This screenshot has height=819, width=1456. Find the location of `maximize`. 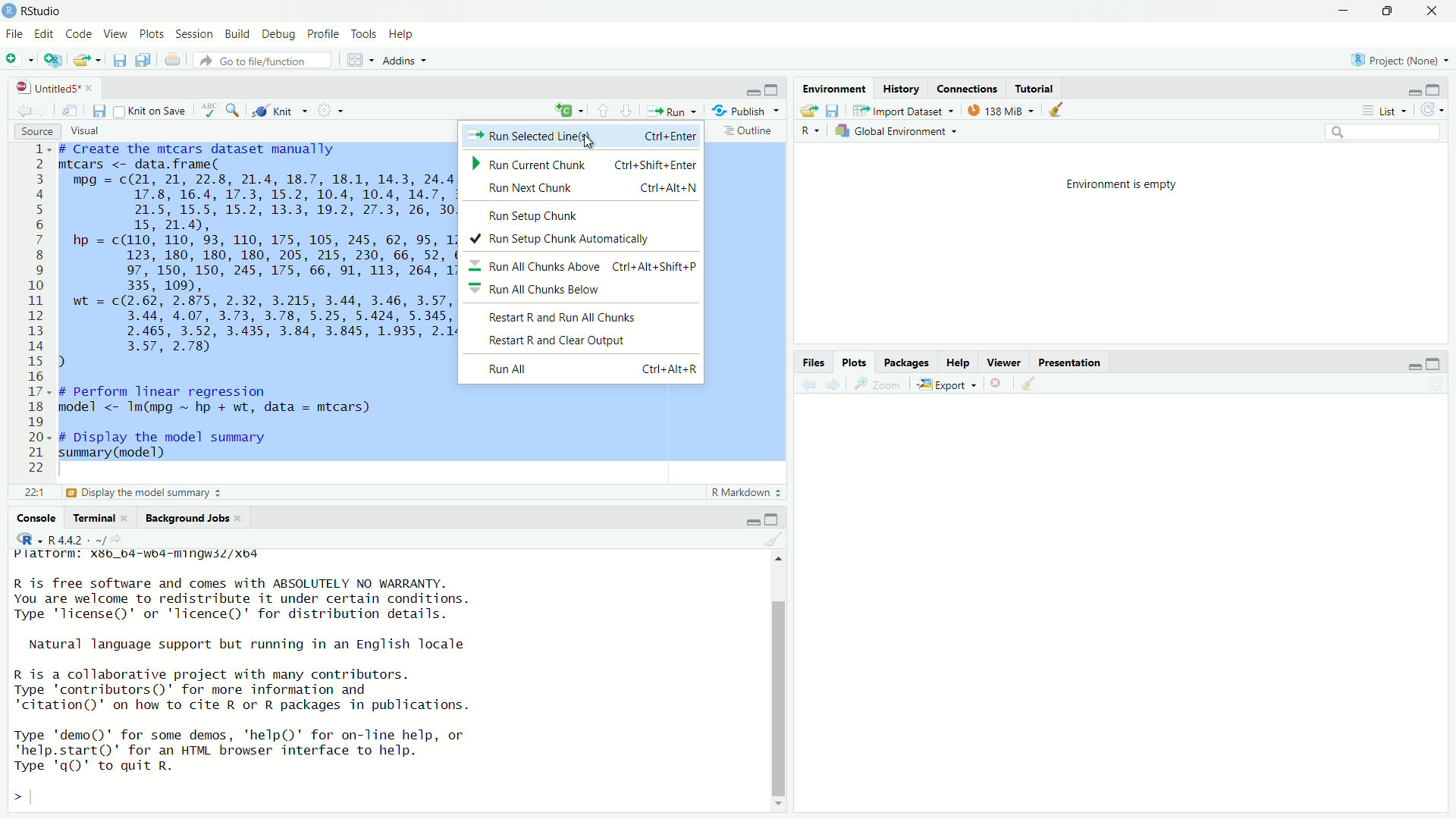

maximize is located at coordinates (1432, 366).